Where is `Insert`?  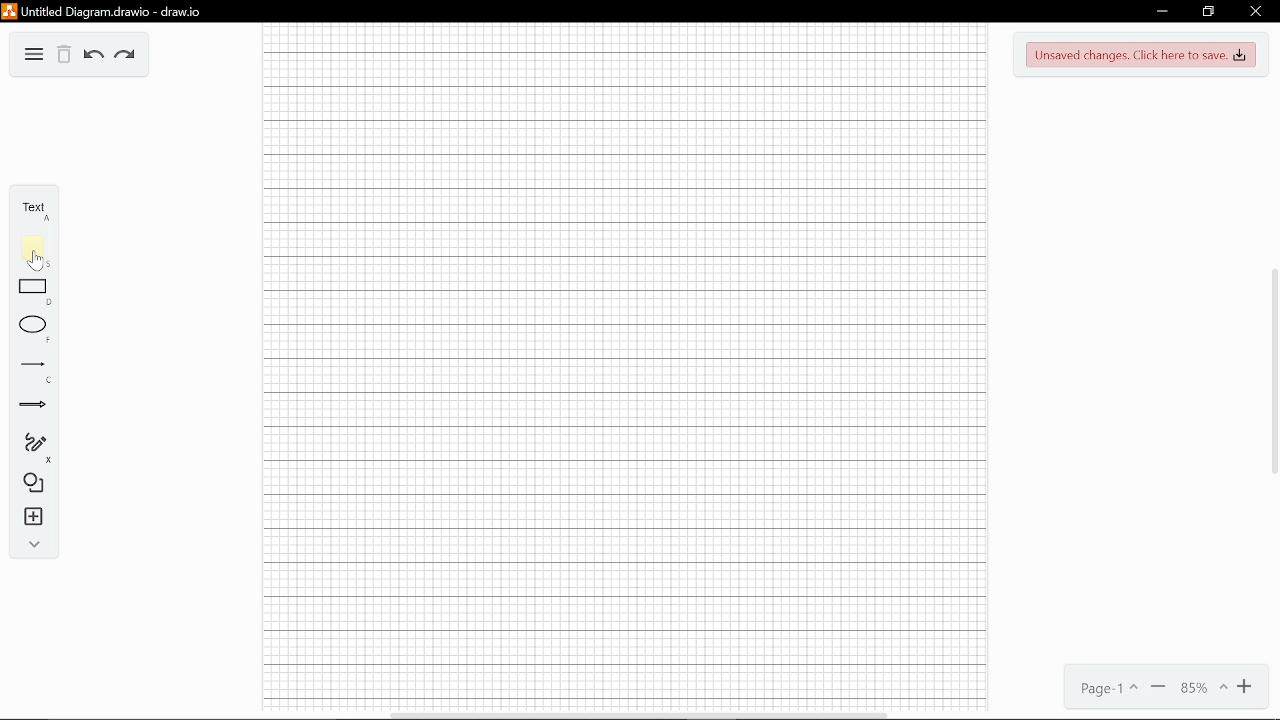
Insert is located at coordinates (34, 518).